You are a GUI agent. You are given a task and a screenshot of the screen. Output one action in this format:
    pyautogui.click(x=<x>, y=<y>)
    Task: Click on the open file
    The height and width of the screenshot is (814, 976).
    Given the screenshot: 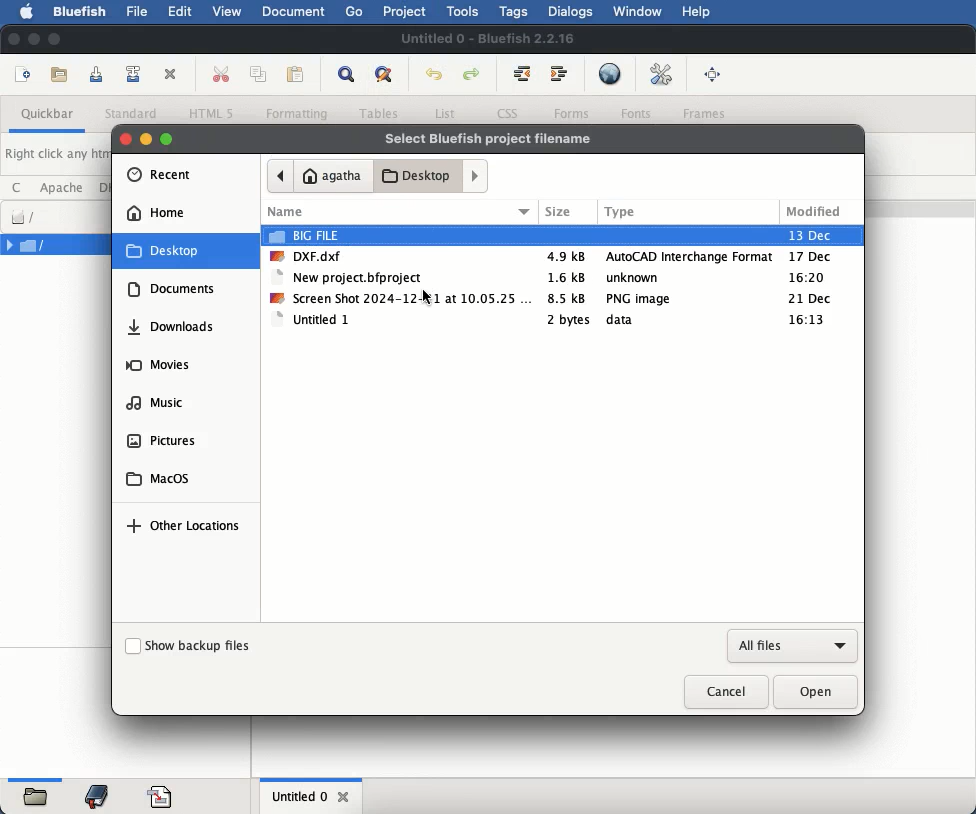 What is the action you would take?
    pyautogui.click(x=62, y=75)
    